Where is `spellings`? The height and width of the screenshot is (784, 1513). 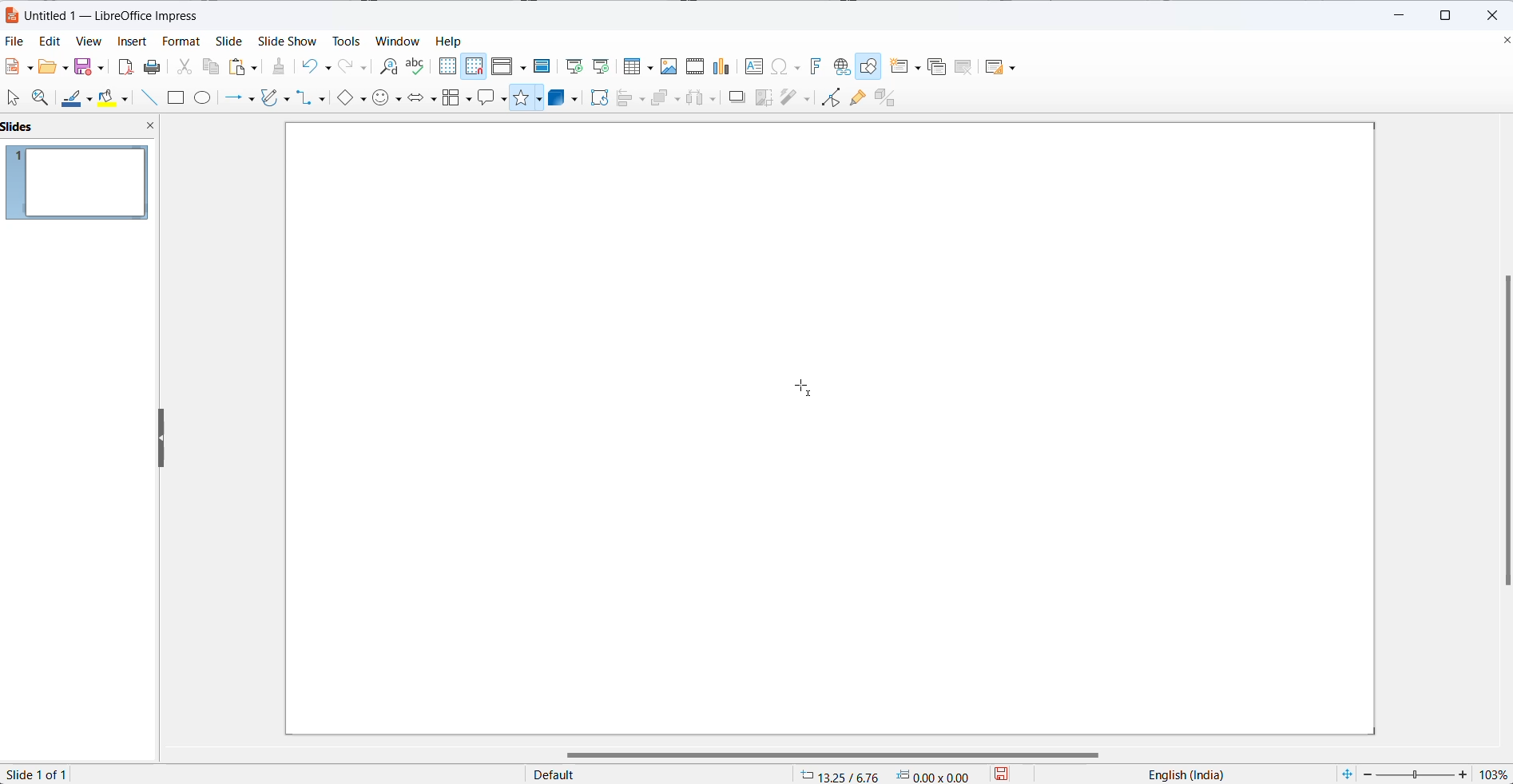
spellings is located at coordinates (417, 66).